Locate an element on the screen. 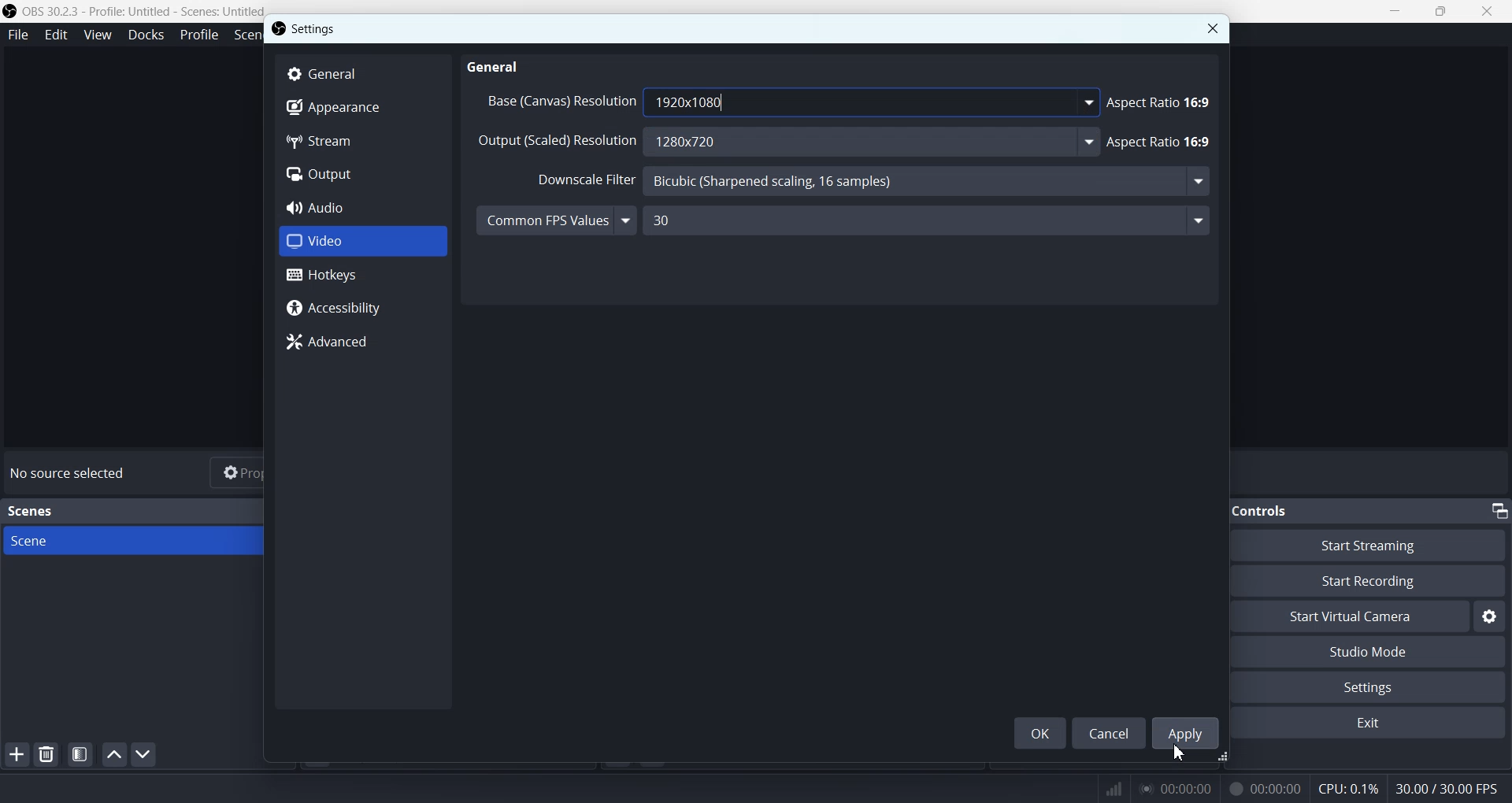  Text is located at coordinates (71, 473).